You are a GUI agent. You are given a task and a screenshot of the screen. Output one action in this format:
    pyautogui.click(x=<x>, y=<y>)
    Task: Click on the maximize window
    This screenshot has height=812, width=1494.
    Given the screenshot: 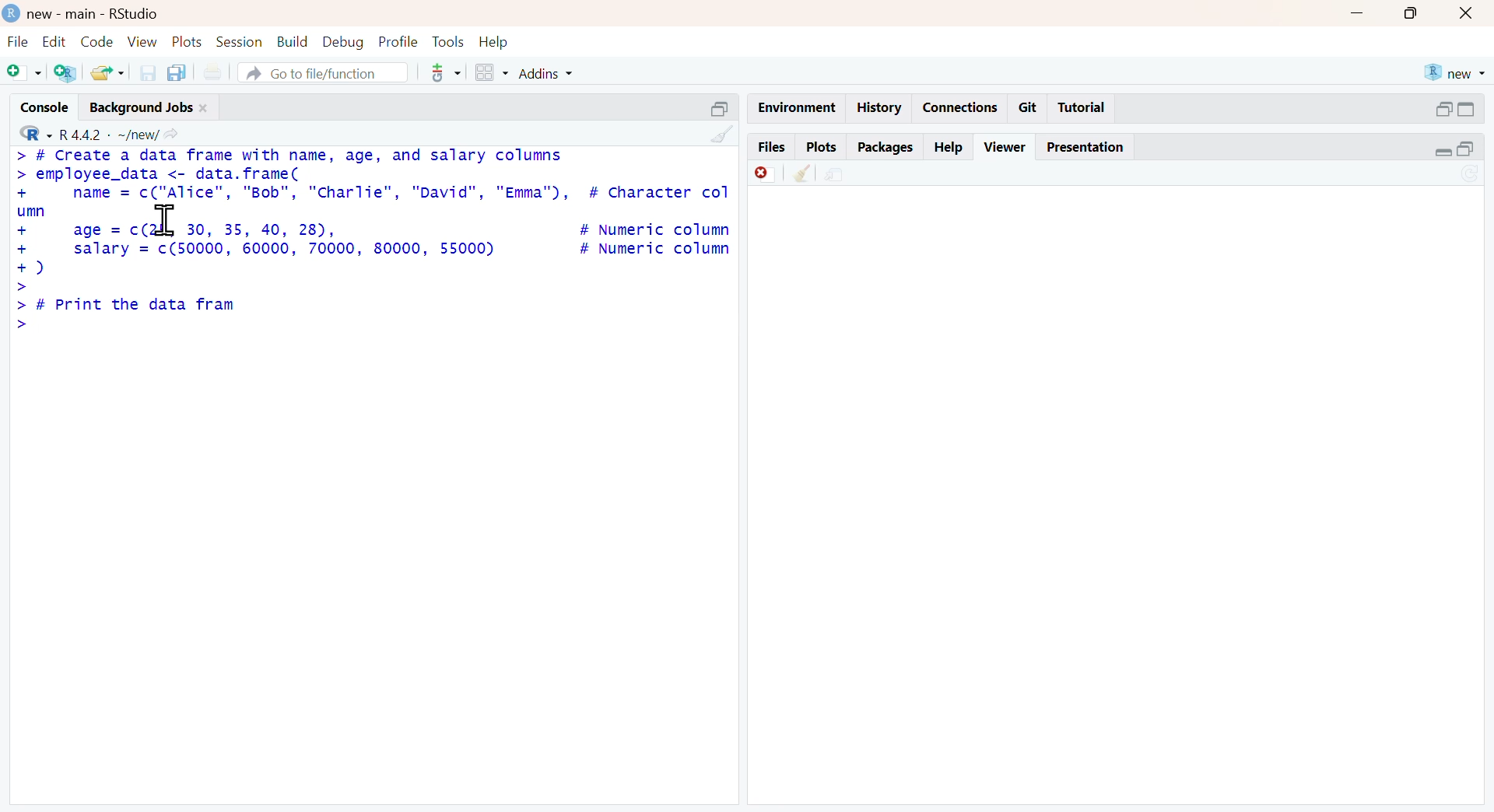 What is the action you would take?
    pyautogui.click(x=1417, y=16)
    